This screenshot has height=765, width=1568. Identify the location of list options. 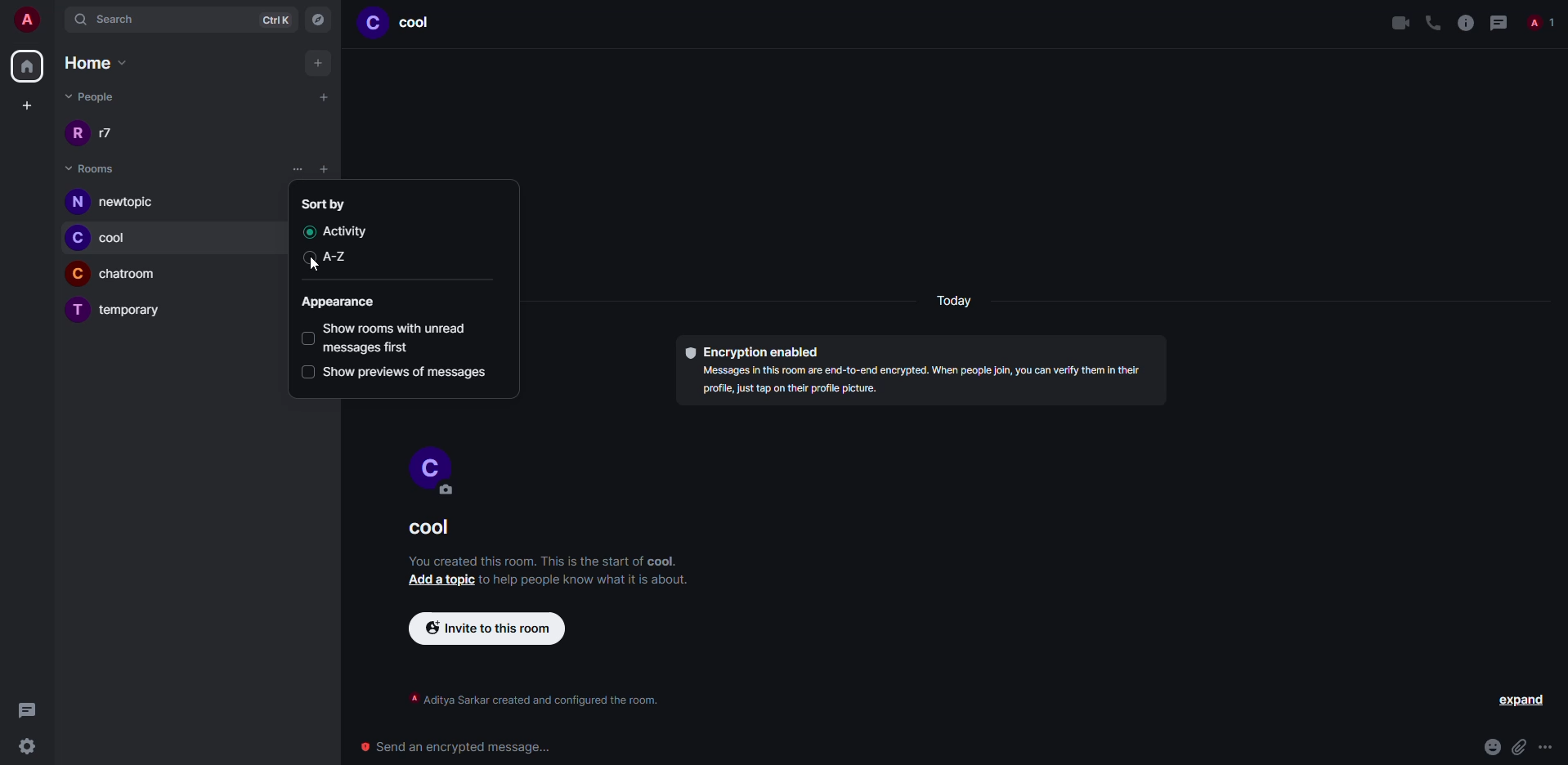
(329, 170).